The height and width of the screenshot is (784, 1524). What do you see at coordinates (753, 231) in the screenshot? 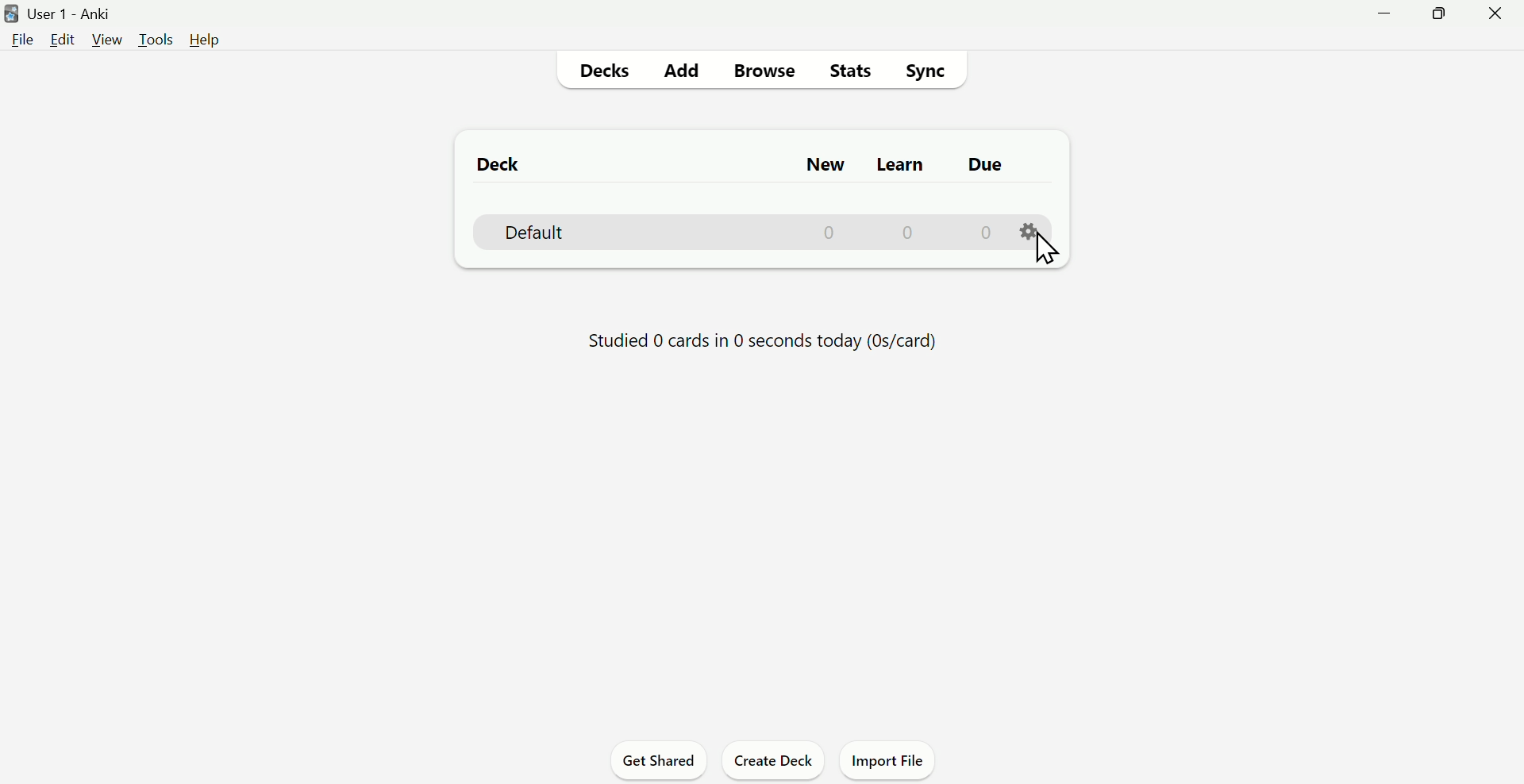
I see `Deck` at bounding box center [753, 231].